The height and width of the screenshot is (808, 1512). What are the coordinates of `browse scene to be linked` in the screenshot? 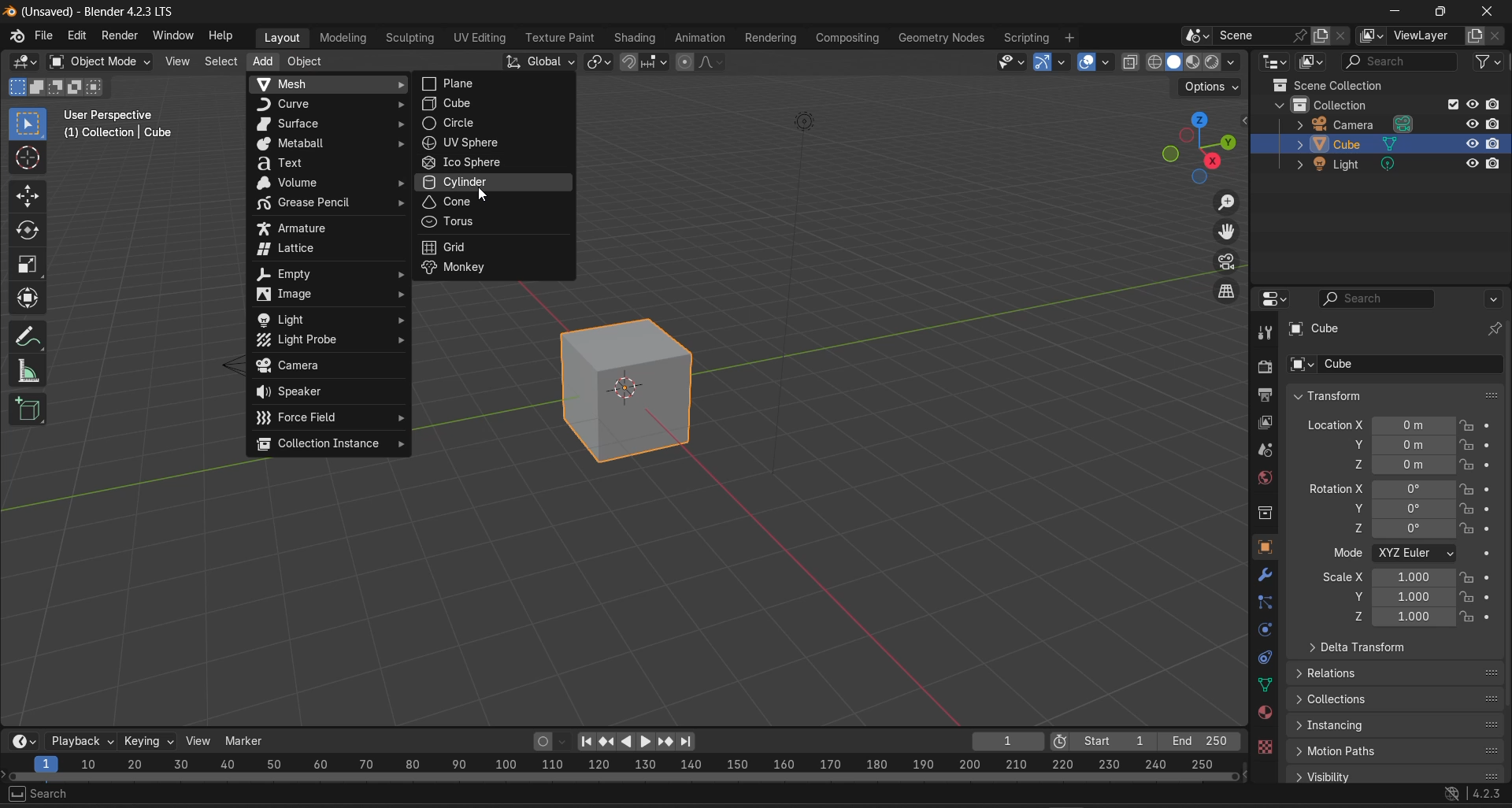 It's located at (1196, 35).